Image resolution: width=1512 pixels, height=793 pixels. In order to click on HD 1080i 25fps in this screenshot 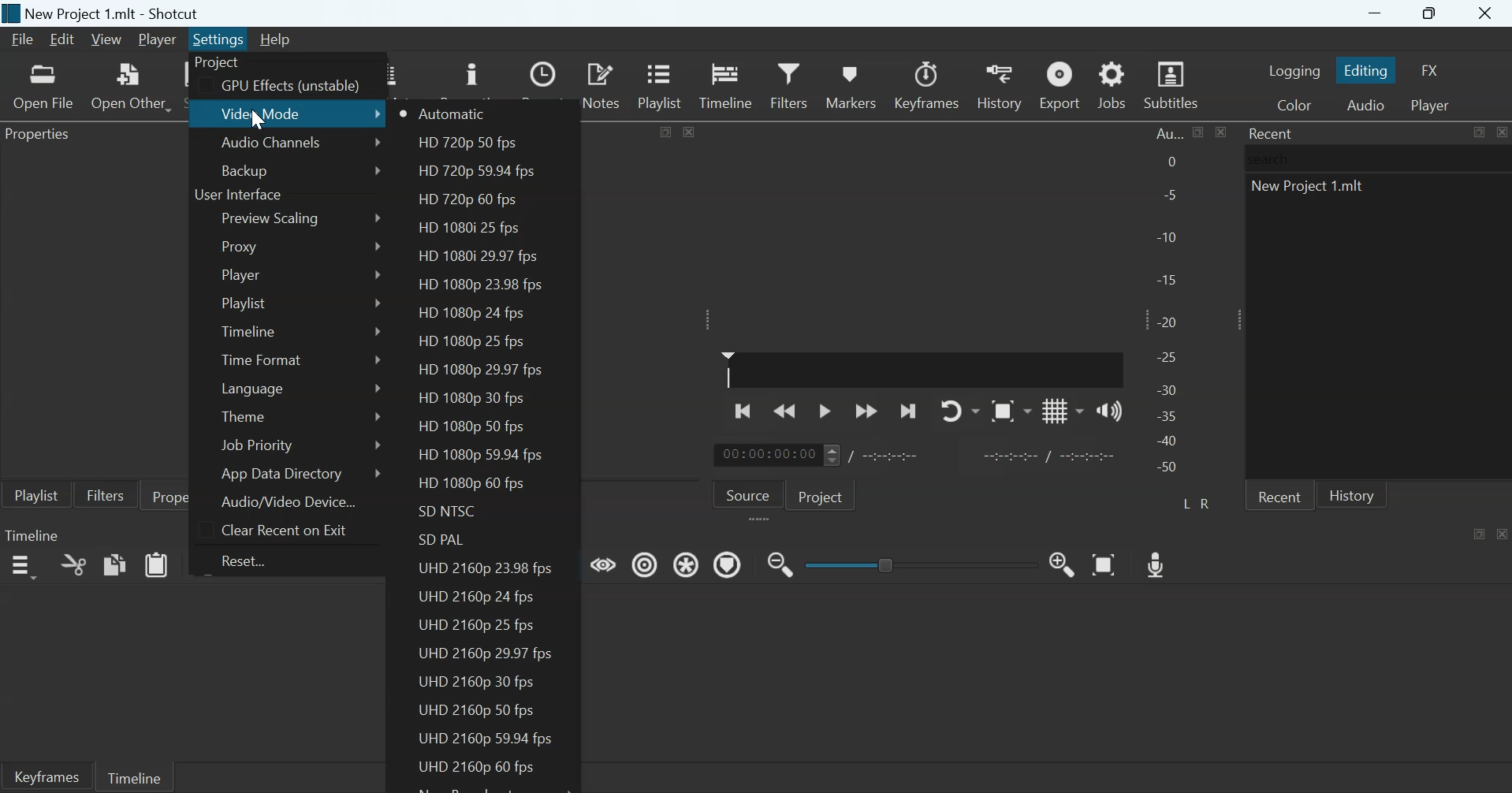, I will do `click(474, 228)`.